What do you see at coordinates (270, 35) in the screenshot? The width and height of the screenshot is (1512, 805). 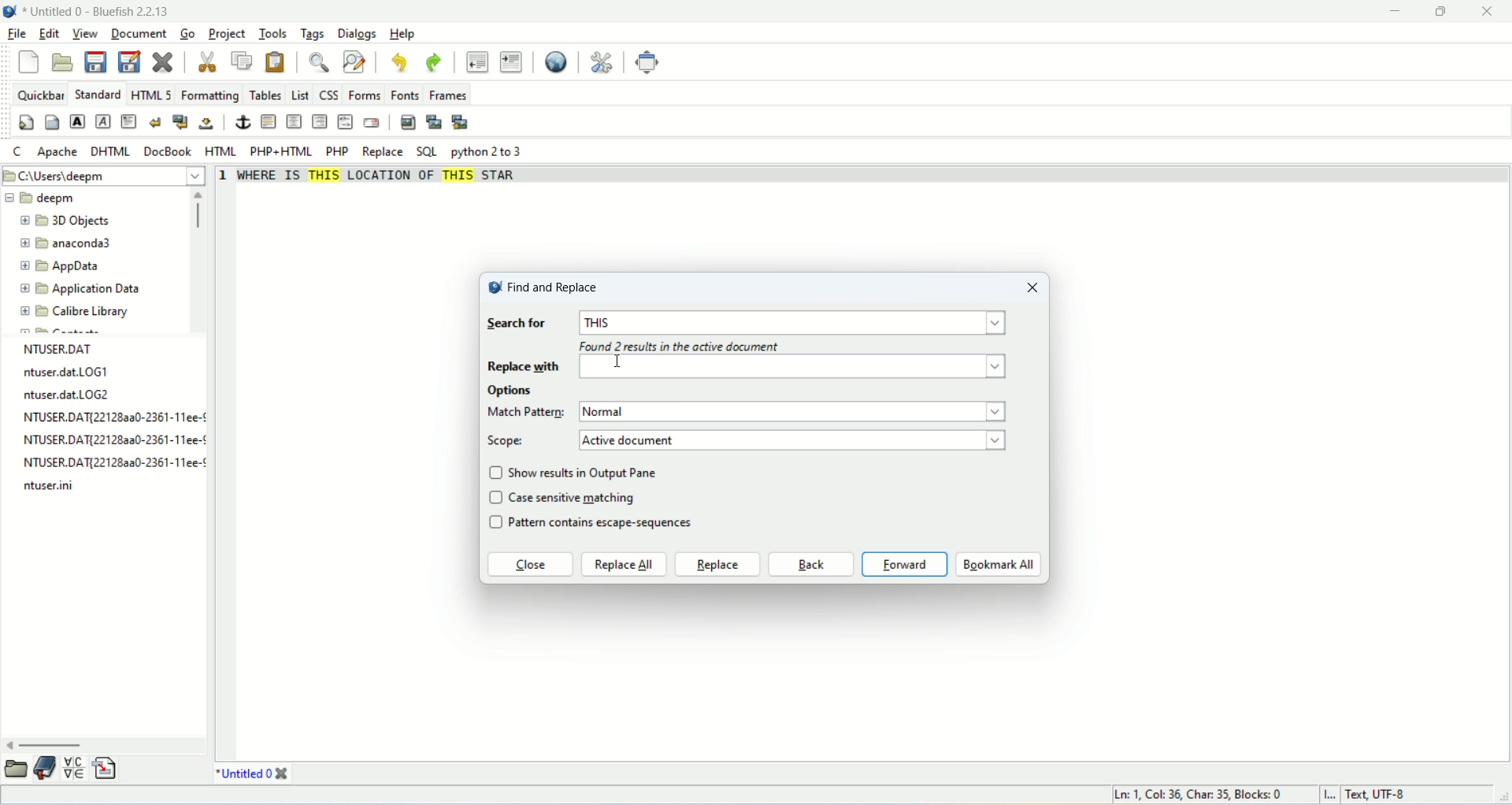 I see `tools` at bounding box center [270, 35].